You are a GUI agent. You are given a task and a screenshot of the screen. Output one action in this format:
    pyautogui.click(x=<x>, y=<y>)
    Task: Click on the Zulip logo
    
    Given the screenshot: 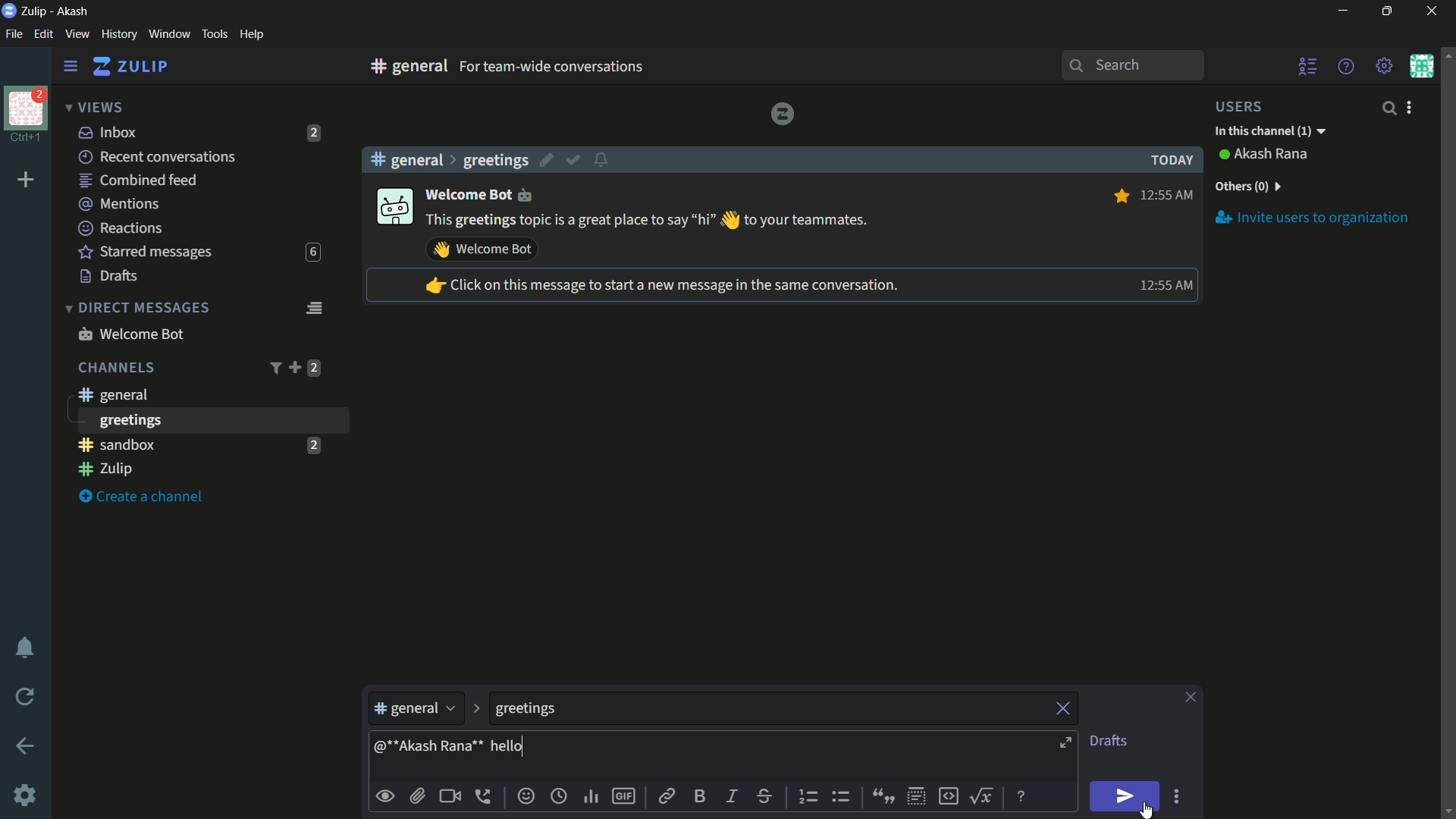 What is the action you would take?
    pyautogui.click(x=782, y=113)
    